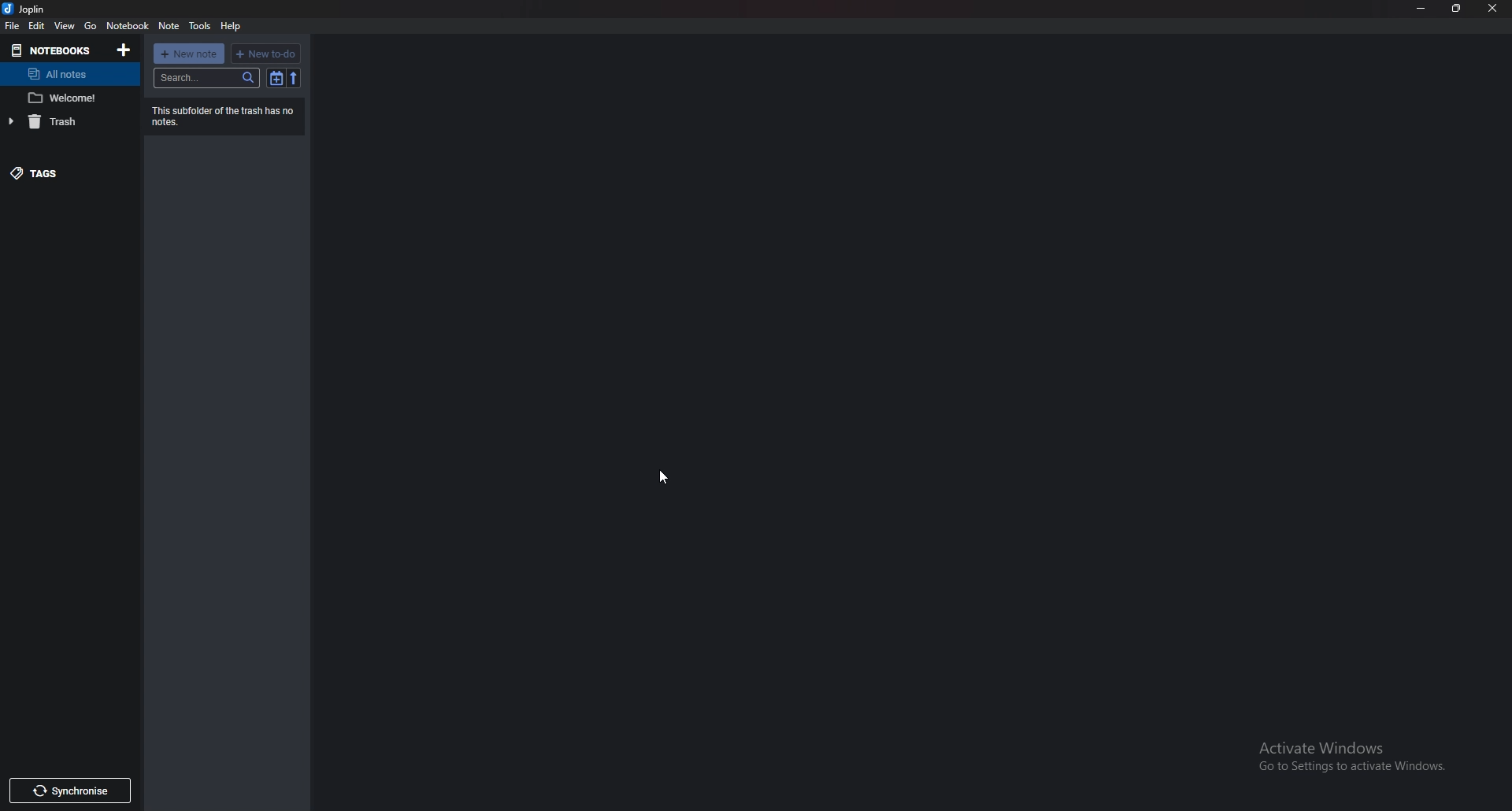  Describe the element at coordinates (11, 26) in the screenshot. I see `file` at that location.